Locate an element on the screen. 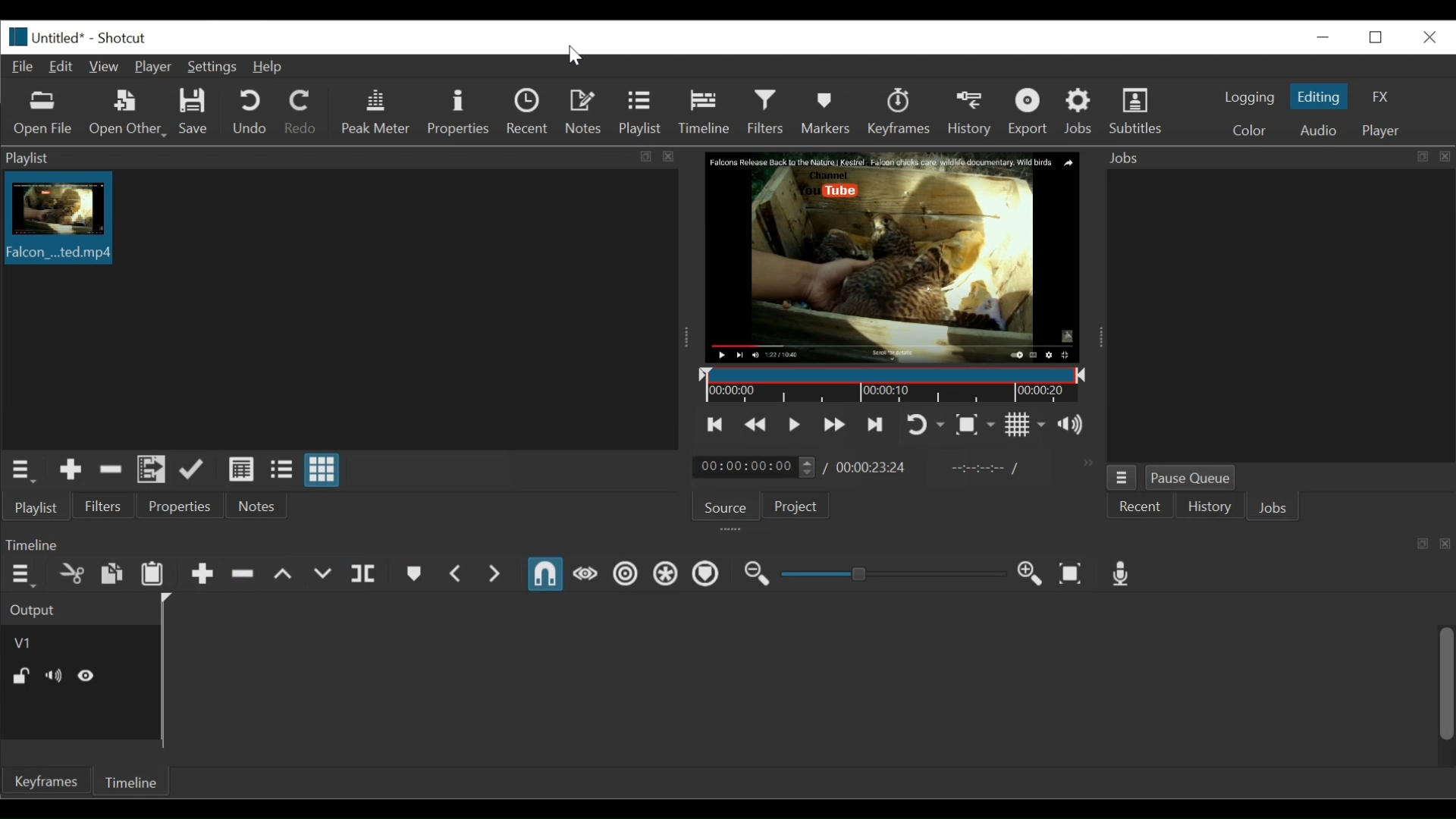 Image resolution: width=1456 pixels, height=819 pixels. Keyframes is located at coordinates (898, 111).